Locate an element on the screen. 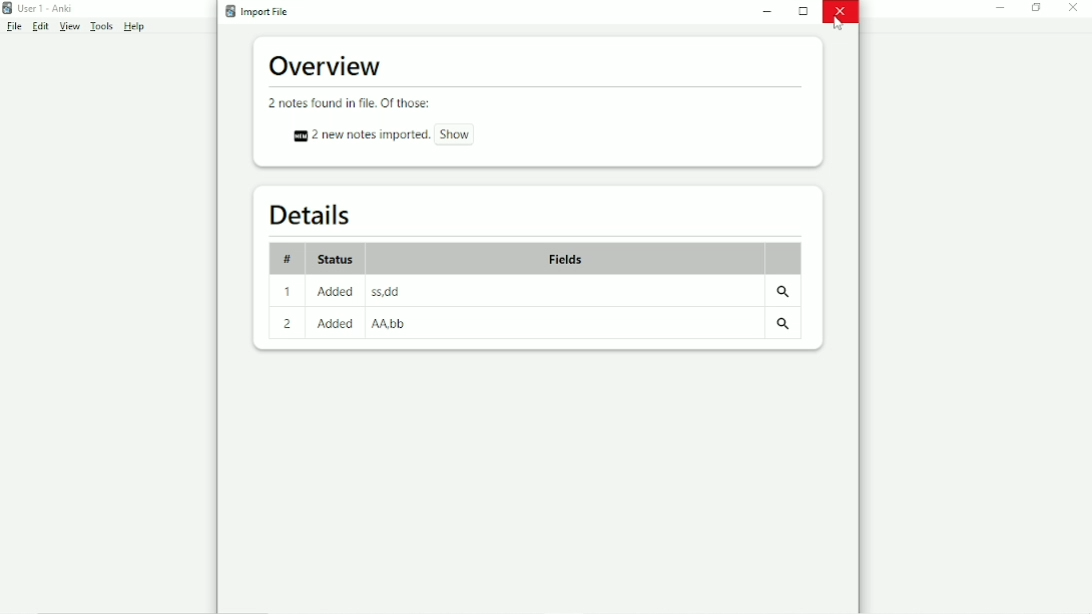 The image size is (1092, 614). 2 is located at coordinates (286, 324).